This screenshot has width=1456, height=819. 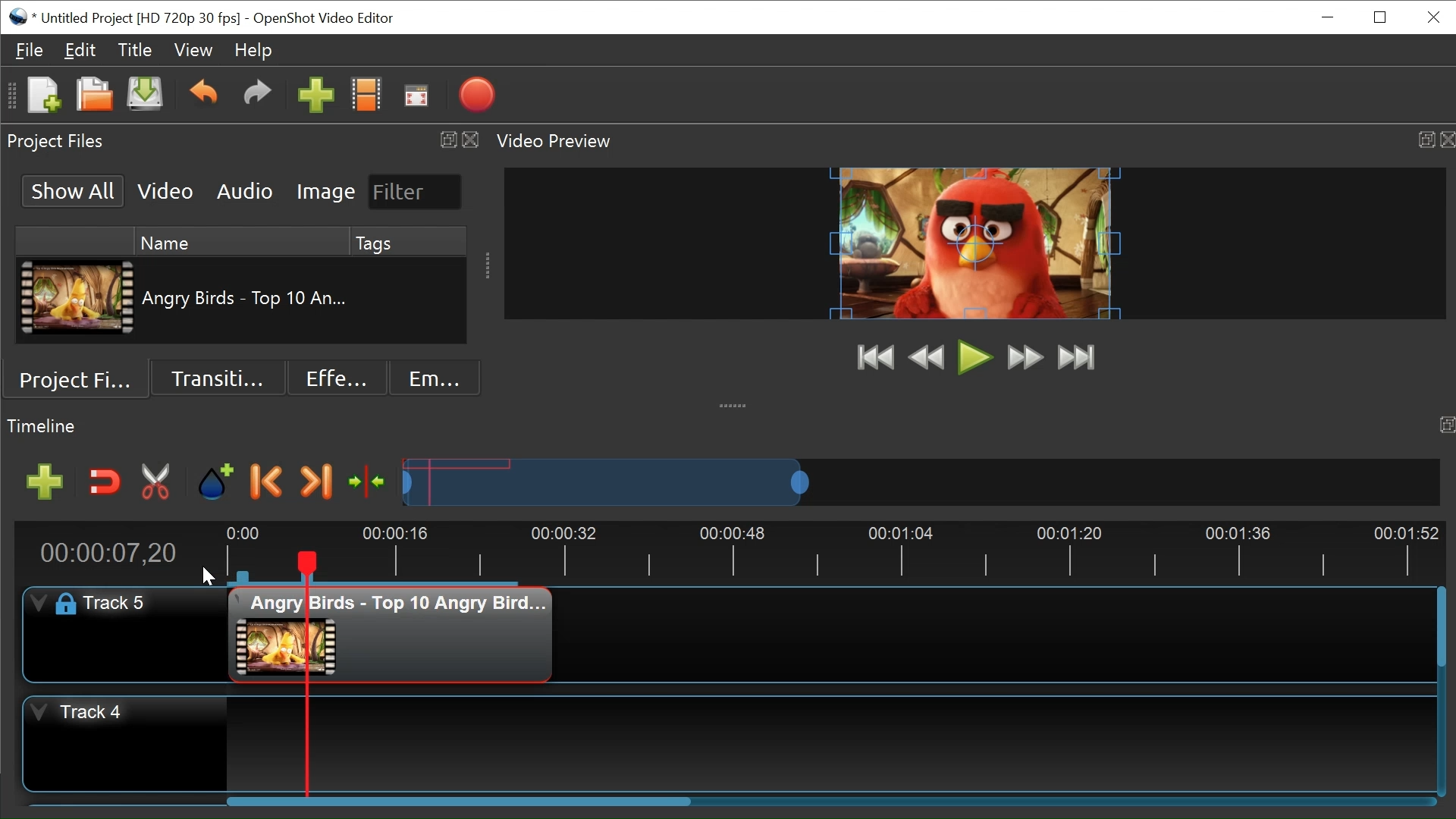 What do you see at coordinates (166, 190) in the screenshot?
I see `Video` at bounding box center [166, 190].